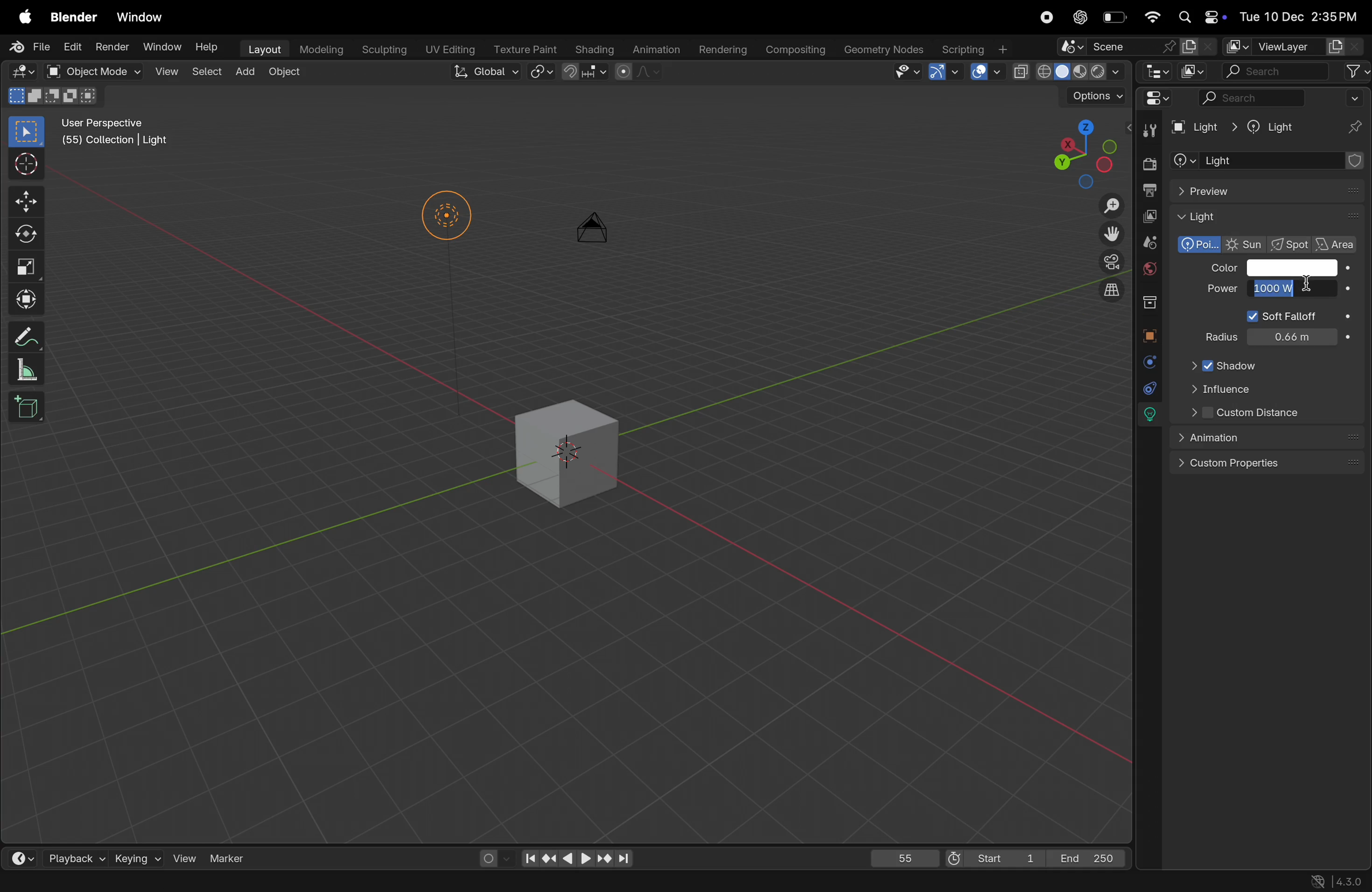  What do you see at coordinates (161, 47) in the screenshot?
I see `Window` at bounding box center [161, 47].